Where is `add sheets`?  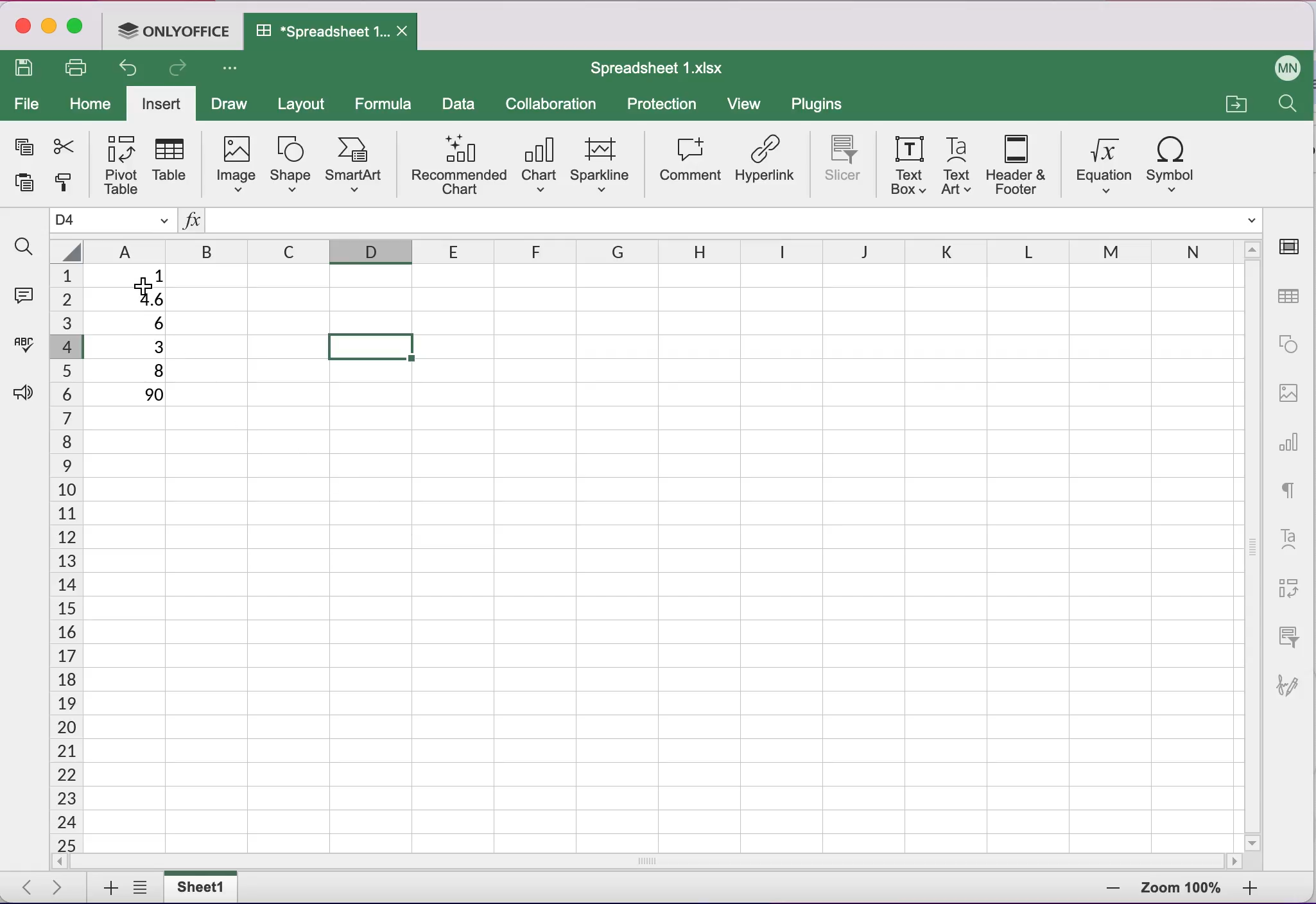 add sheets is located at coordinates (105, 887).